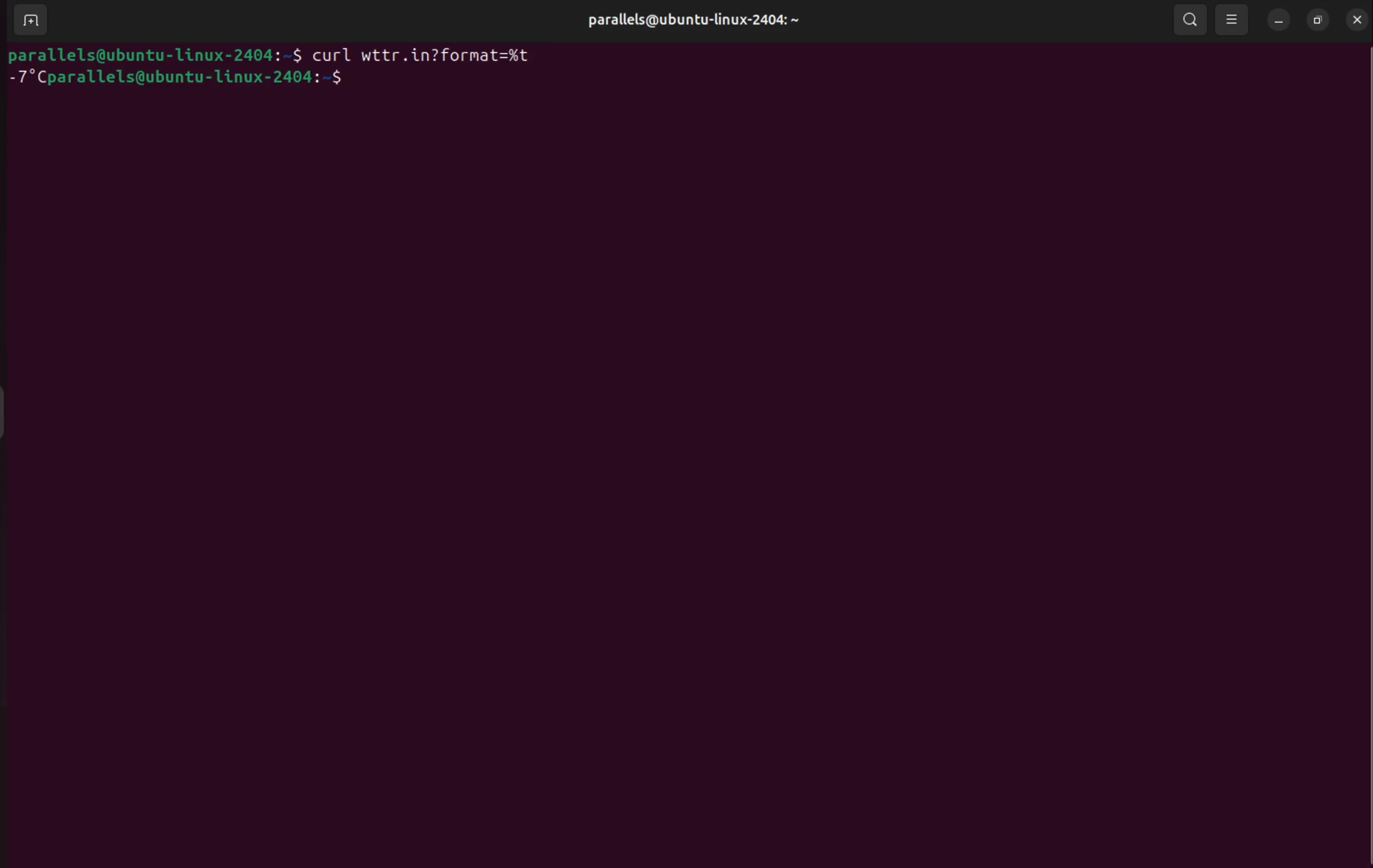  What do you see at coordinates (431, 52) in the screenshot?
I see `curl wttr.in?format=%t` at bounding box center [431, 52].